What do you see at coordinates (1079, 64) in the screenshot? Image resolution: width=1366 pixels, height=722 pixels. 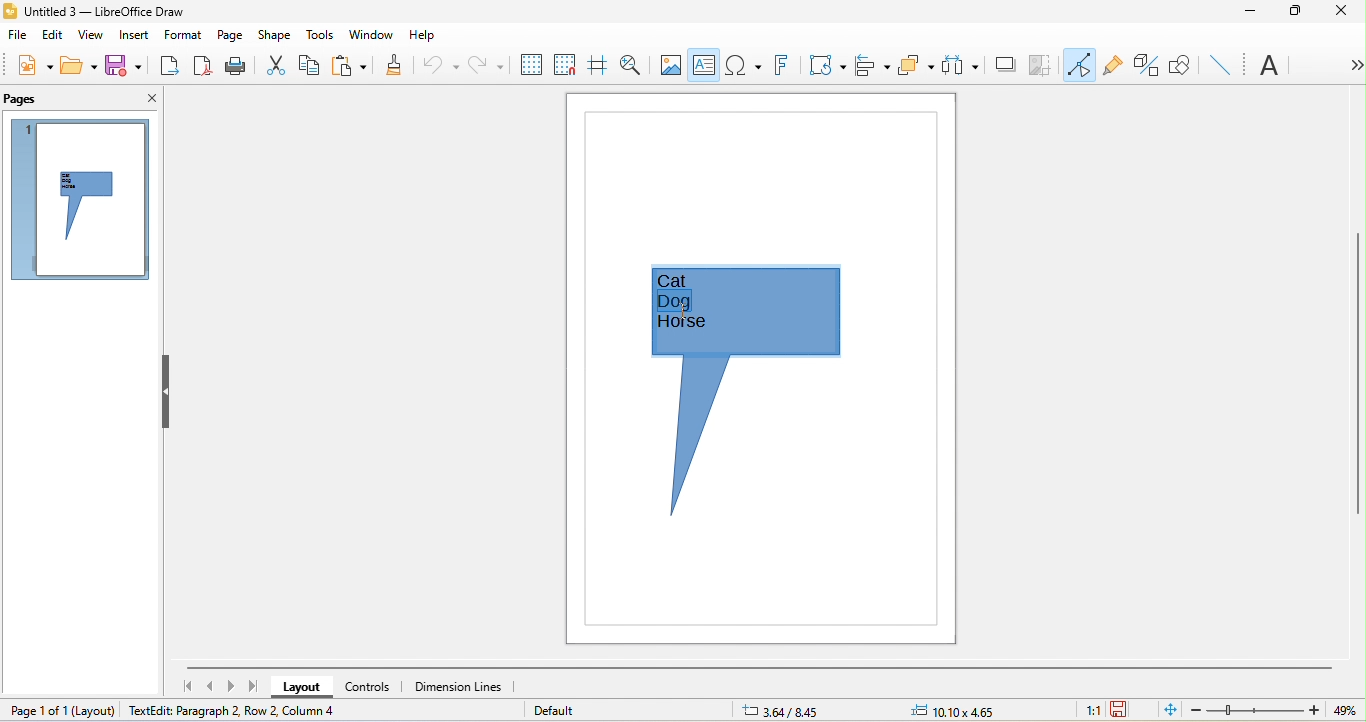 I see `toggle point edit mode` at bounding box center [1079, 64].